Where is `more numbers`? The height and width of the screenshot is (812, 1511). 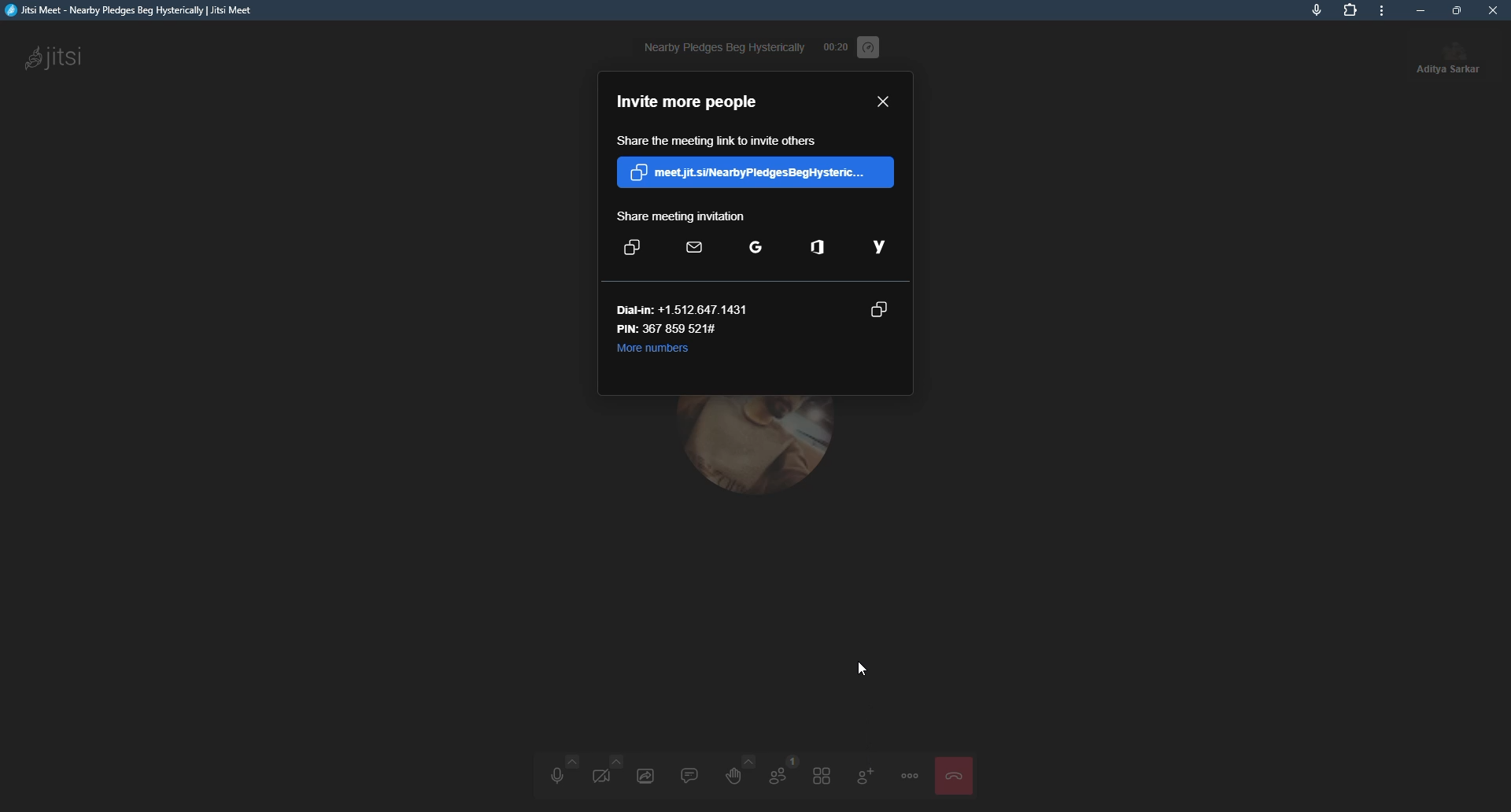
more numbers is located at coordinates (655, 349).